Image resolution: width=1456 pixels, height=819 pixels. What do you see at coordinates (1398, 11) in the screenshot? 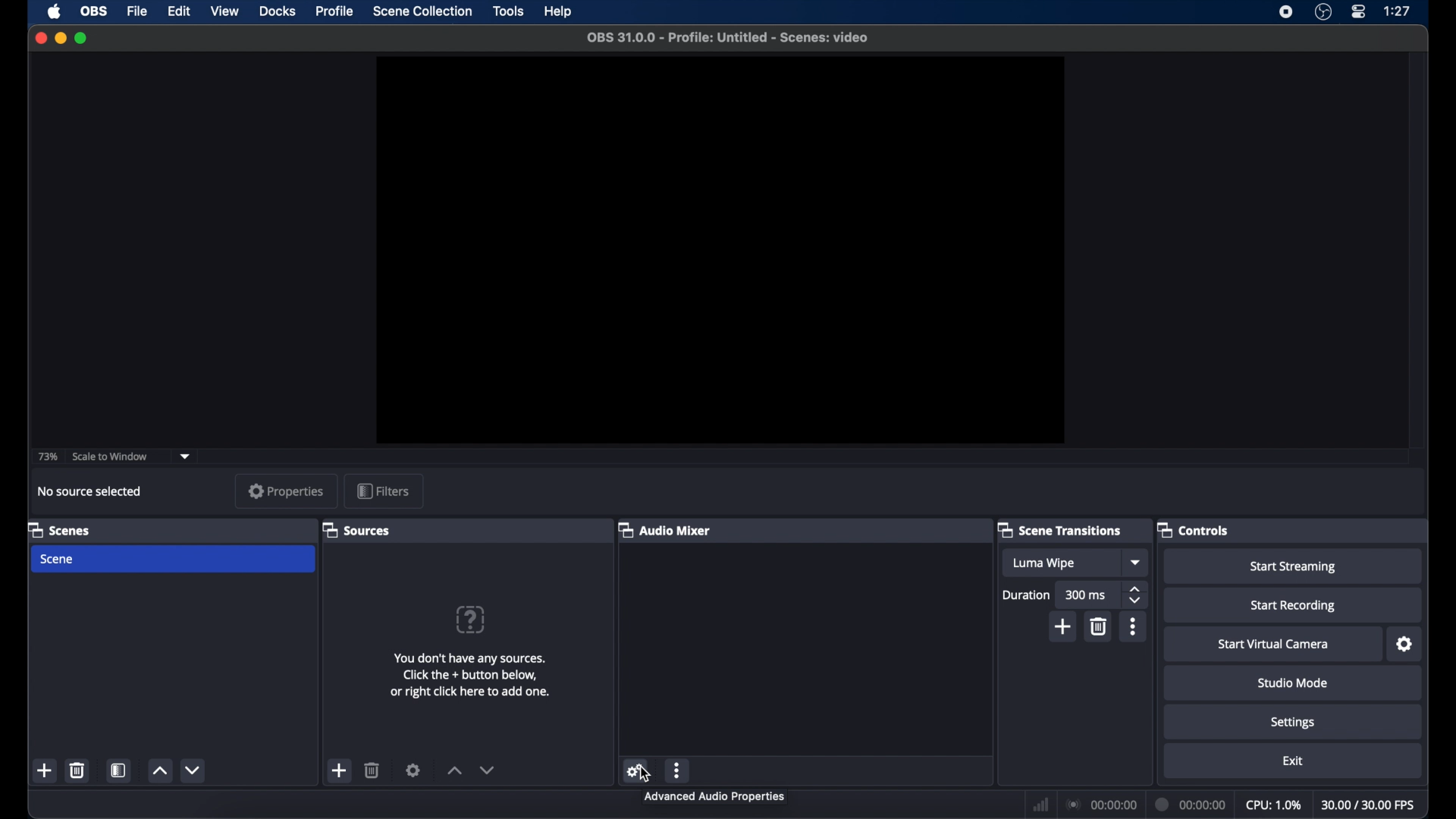
I see `1.27` at bounding box center [1398, 11].